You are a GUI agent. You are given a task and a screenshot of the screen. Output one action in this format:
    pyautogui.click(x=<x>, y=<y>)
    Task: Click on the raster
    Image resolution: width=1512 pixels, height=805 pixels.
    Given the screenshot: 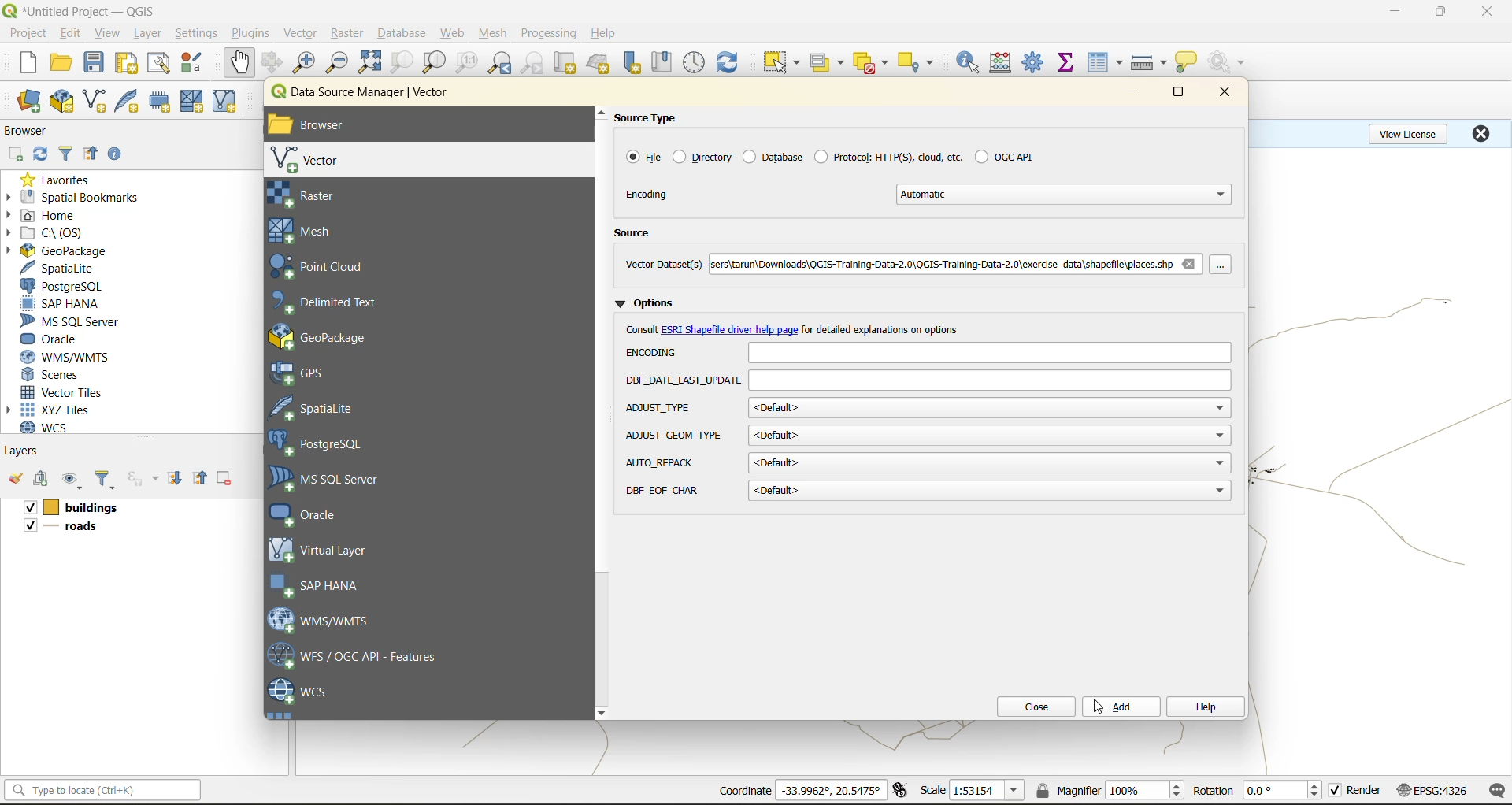 What is the action you would take?
    pyautogui.click(x=329, y=195)
    